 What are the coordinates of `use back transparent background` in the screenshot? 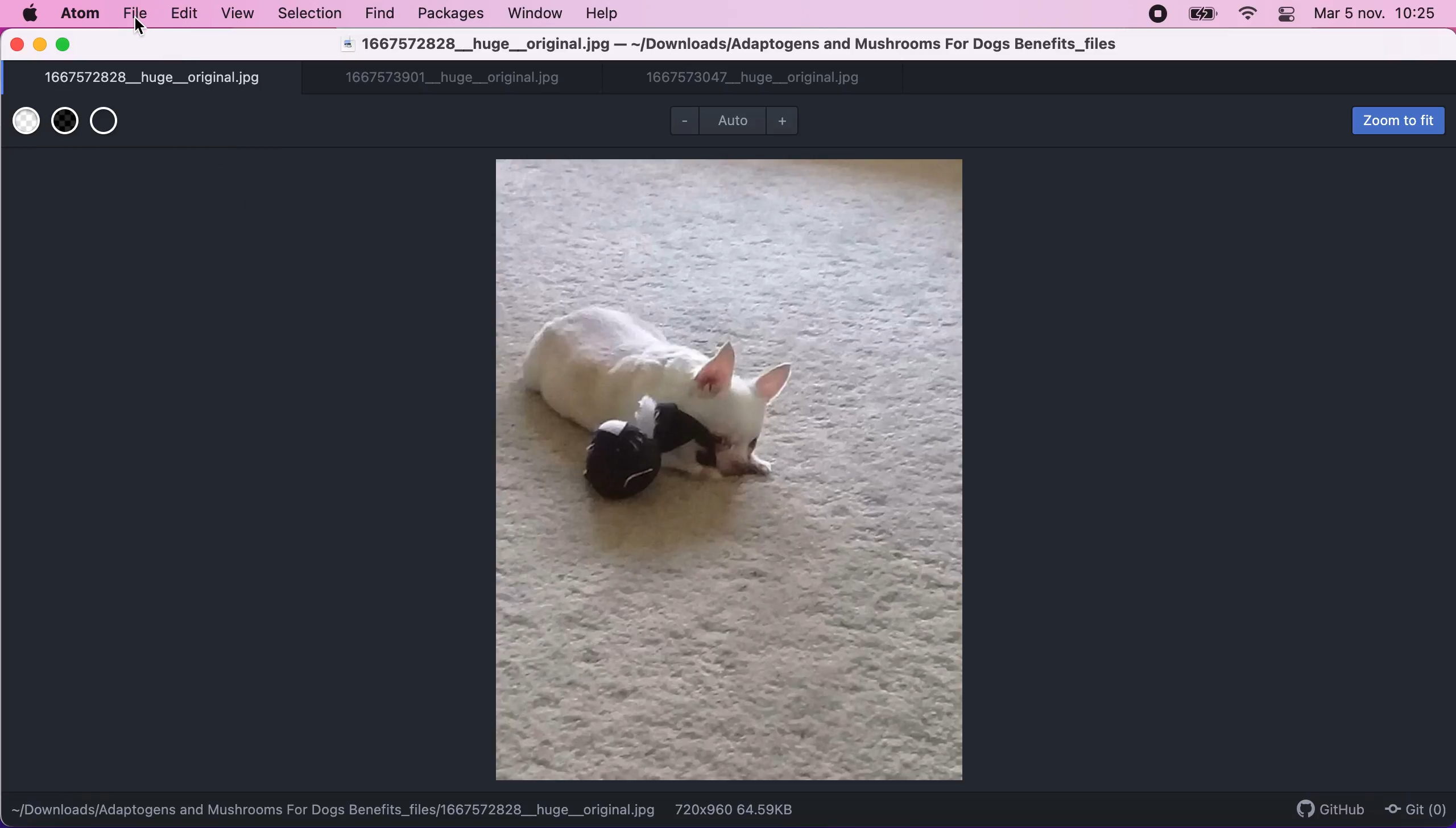 It's located at (65, 125).